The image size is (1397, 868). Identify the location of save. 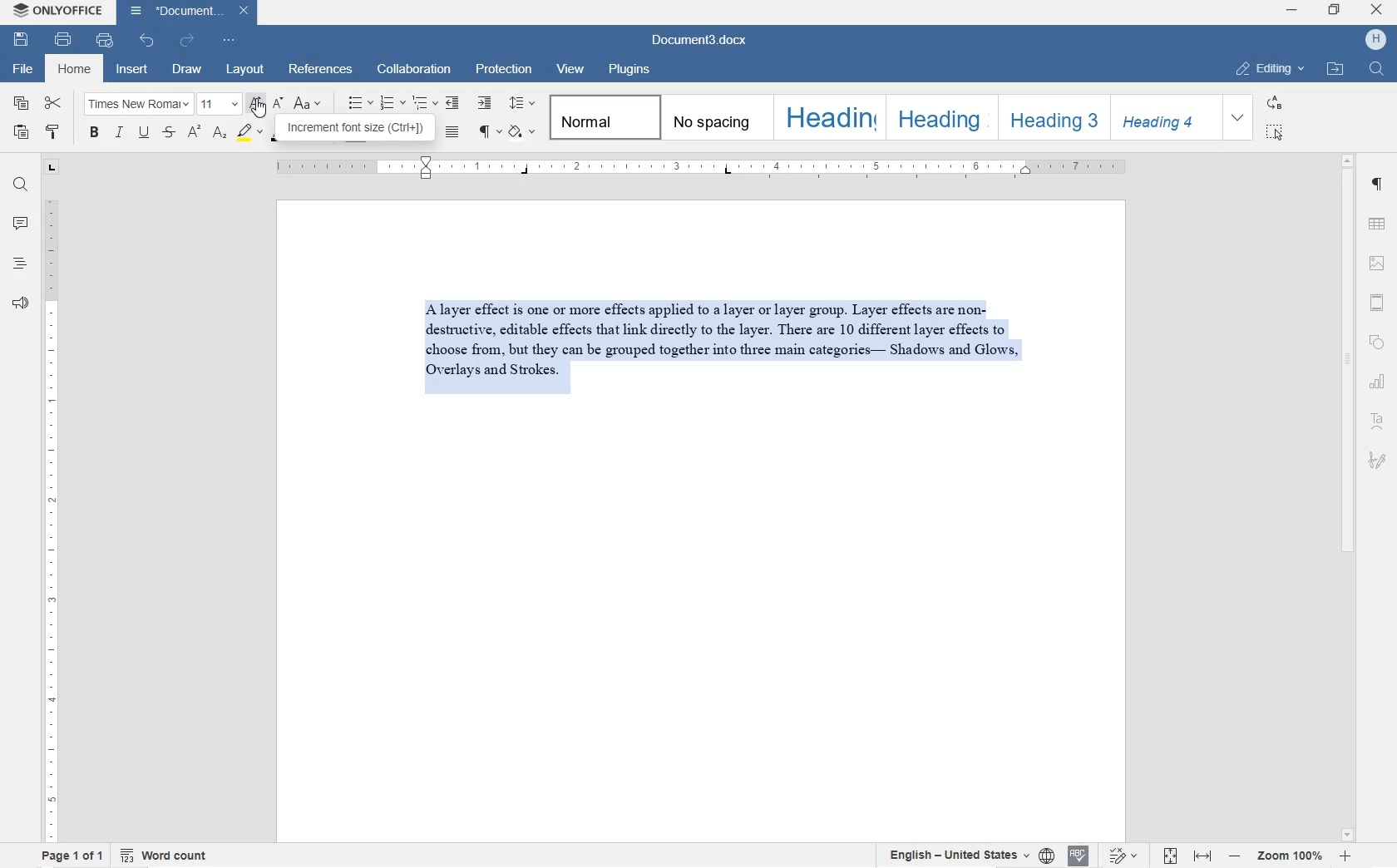
(19, 40).